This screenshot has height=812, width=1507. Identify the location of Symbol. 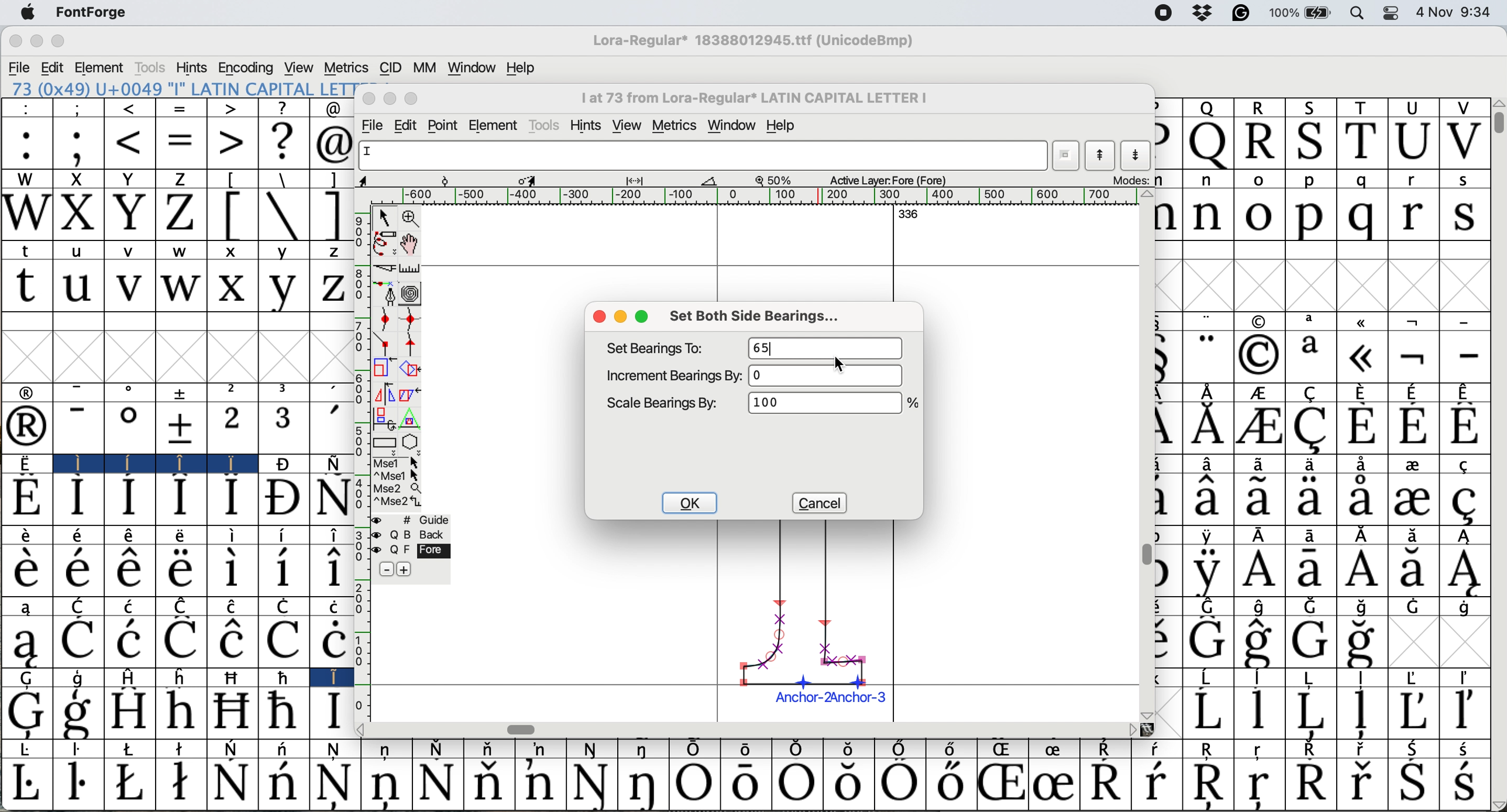
(284, 535).